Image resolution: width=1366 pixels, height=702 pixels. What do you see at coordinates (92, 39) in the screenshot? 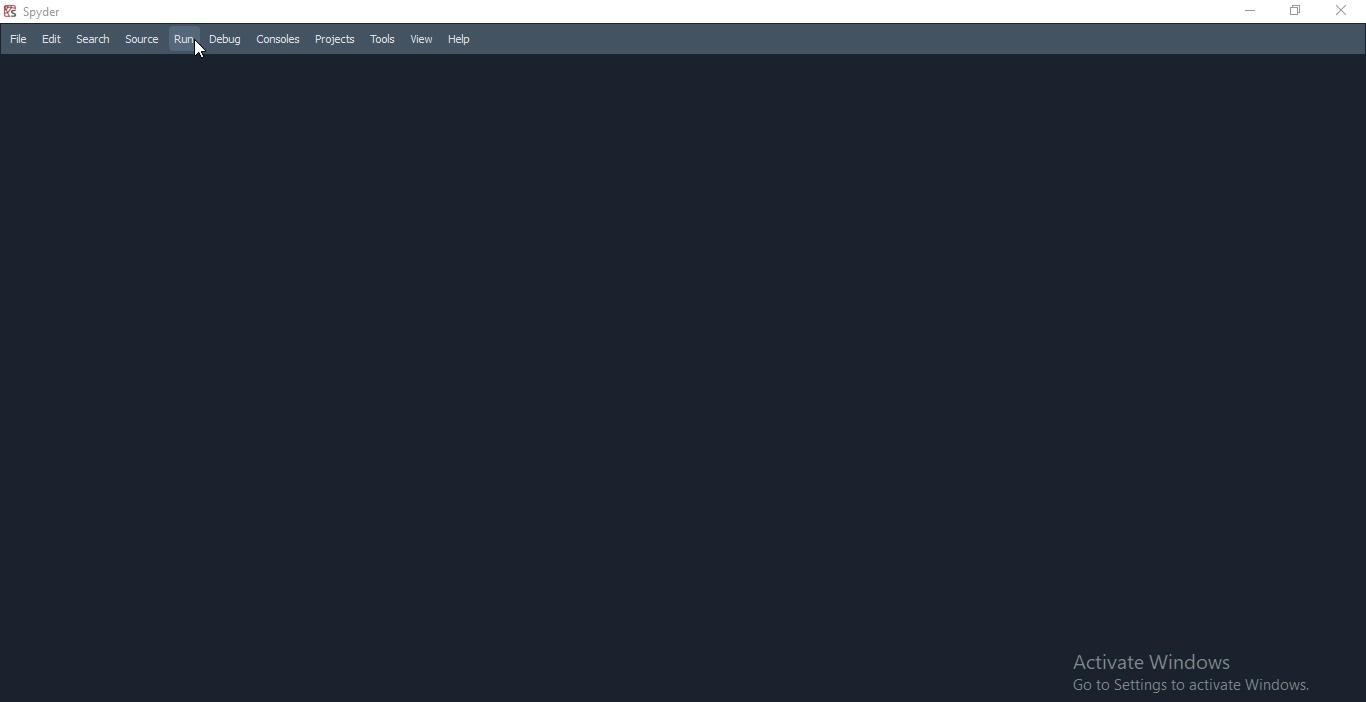
I see `Search` at bounding box center [92, 39].